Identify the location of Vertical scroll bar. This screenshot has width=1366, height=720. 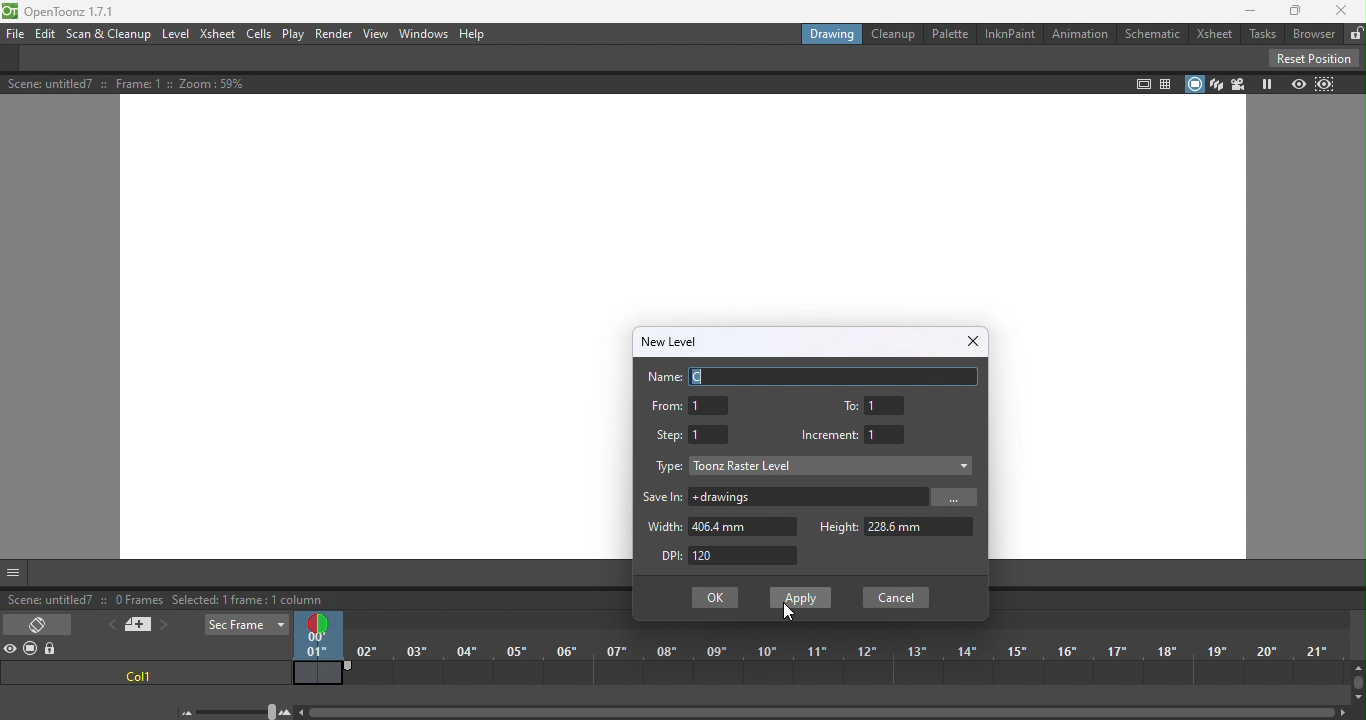
(1357, 683).